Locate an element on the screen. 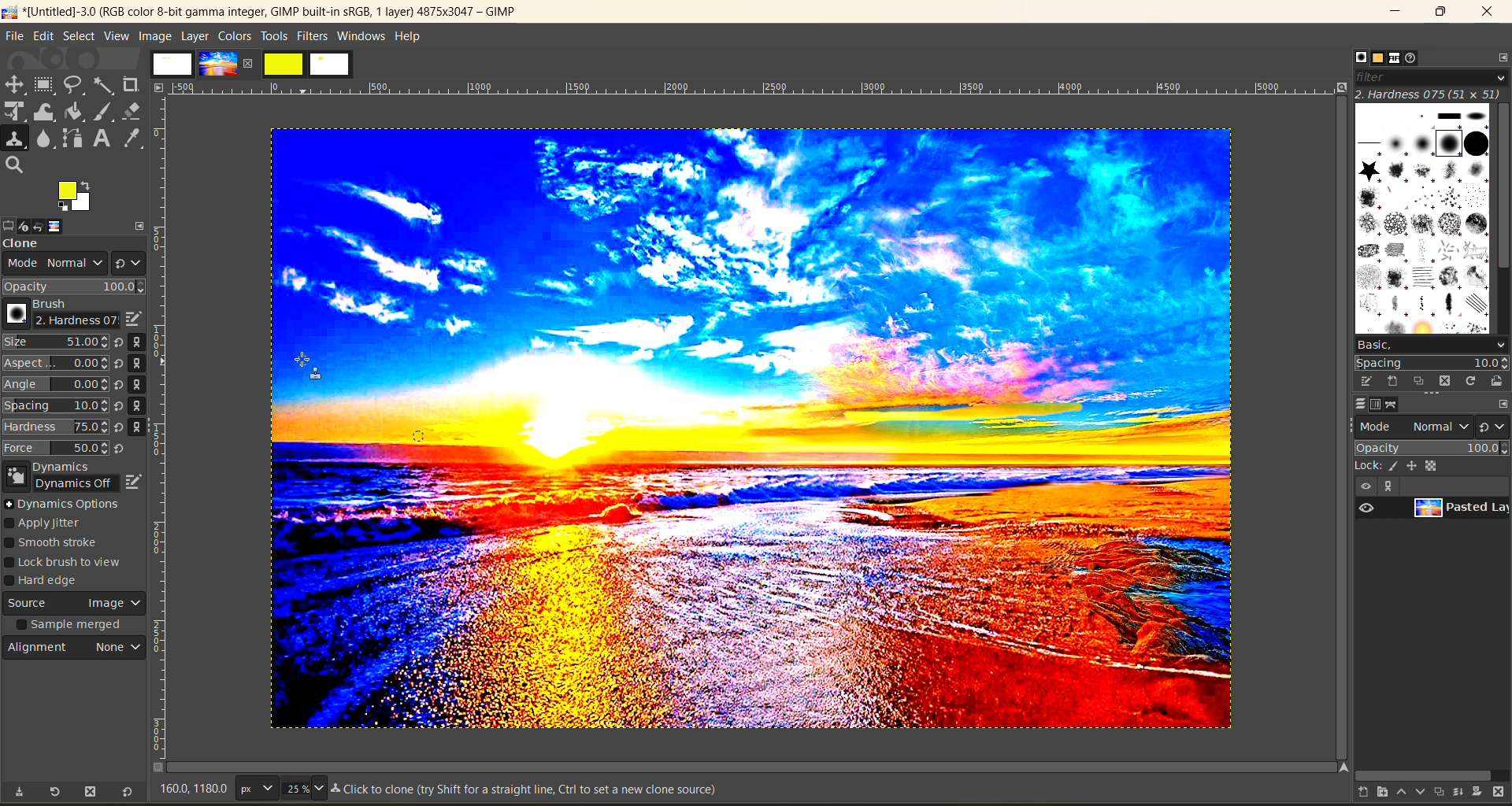 This screenshot has width=1512, height=806. paint bucket  is located at coordinates (79, 113).